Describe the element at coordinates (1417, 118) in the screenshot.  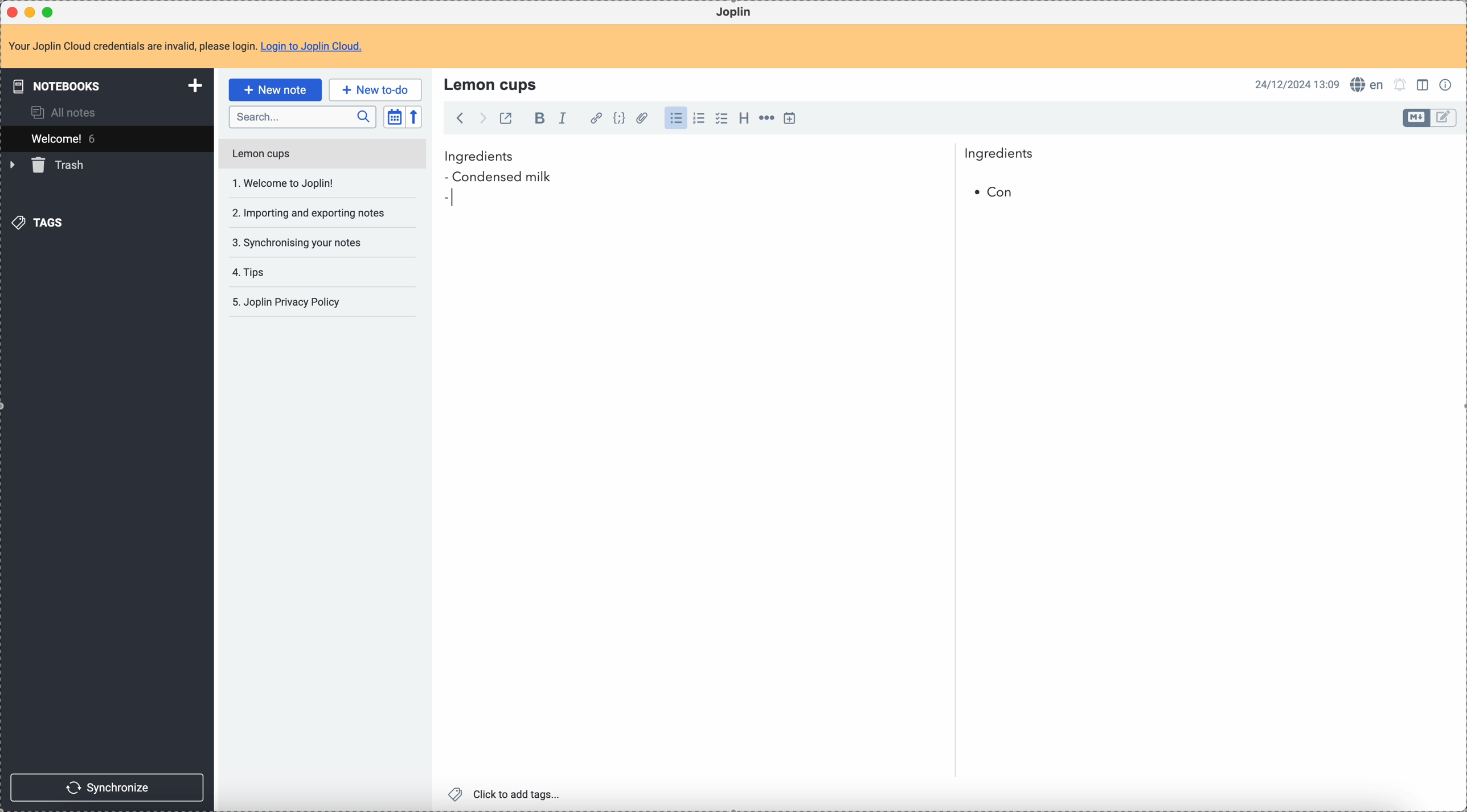
I see `toggle edit layout` at that location.